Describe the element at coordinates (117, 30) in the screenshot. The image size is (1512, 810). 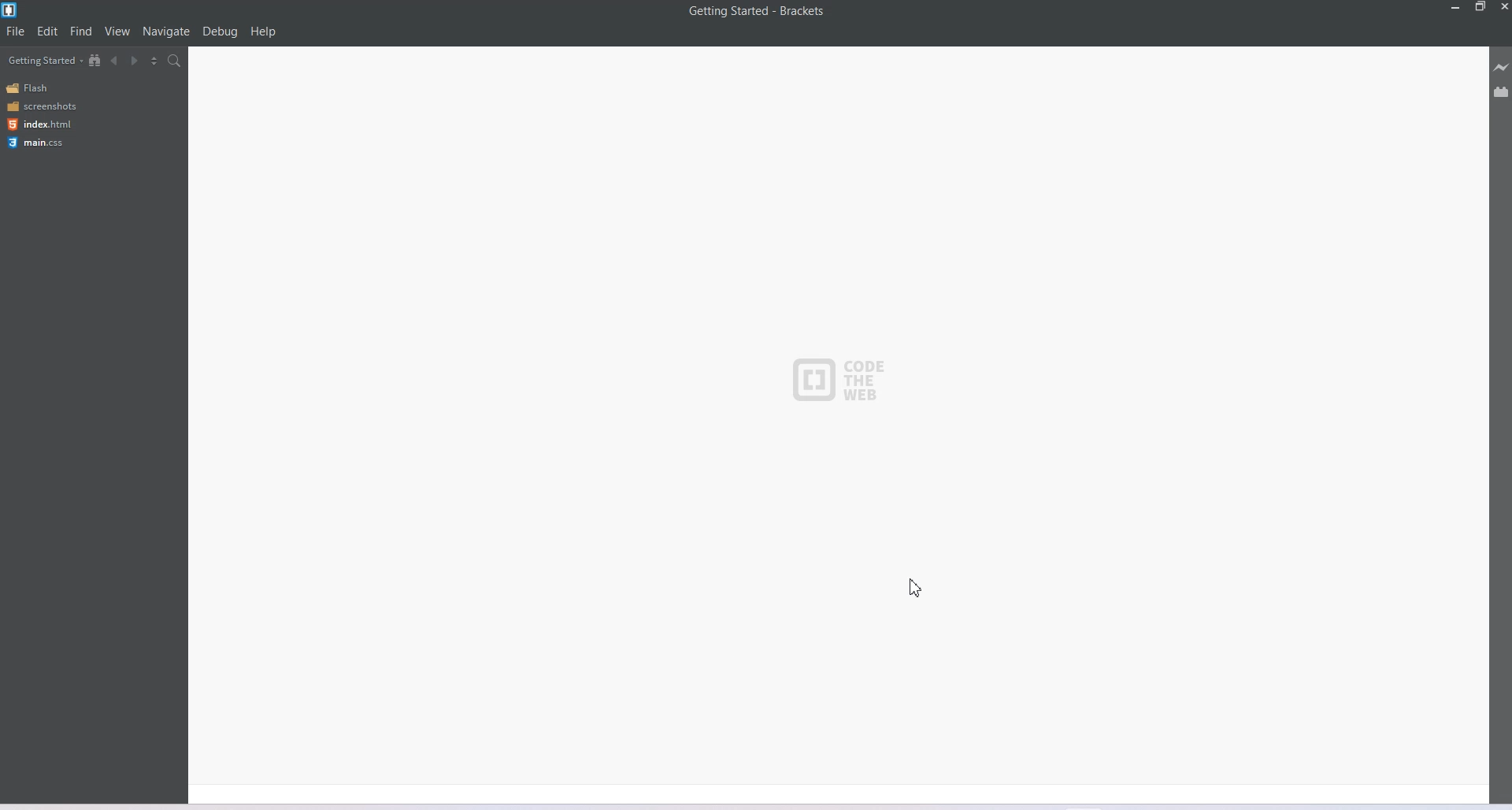
I see `View` at that location.